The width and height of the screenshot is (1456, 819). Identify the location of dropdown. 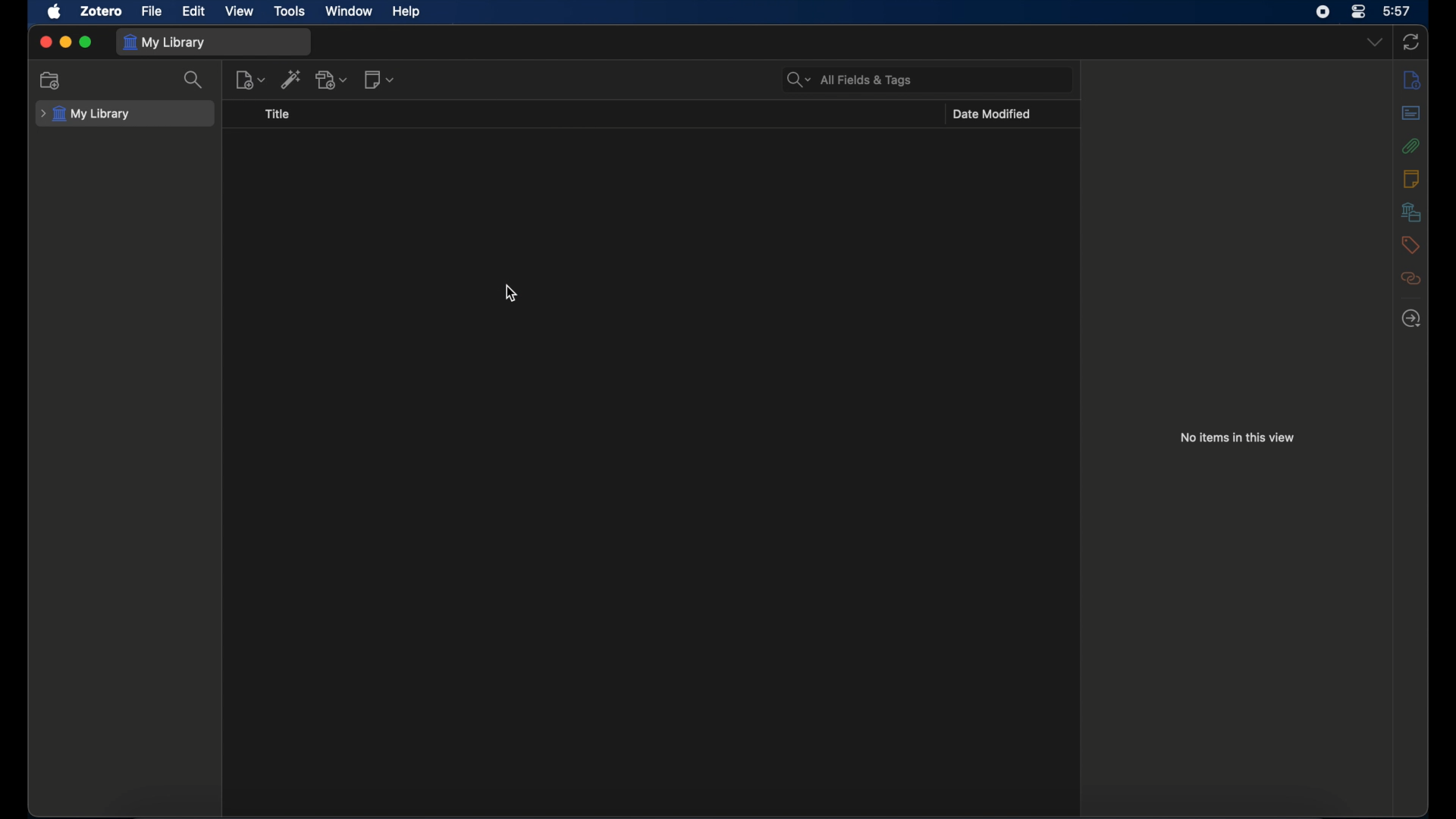
(1375, 42).